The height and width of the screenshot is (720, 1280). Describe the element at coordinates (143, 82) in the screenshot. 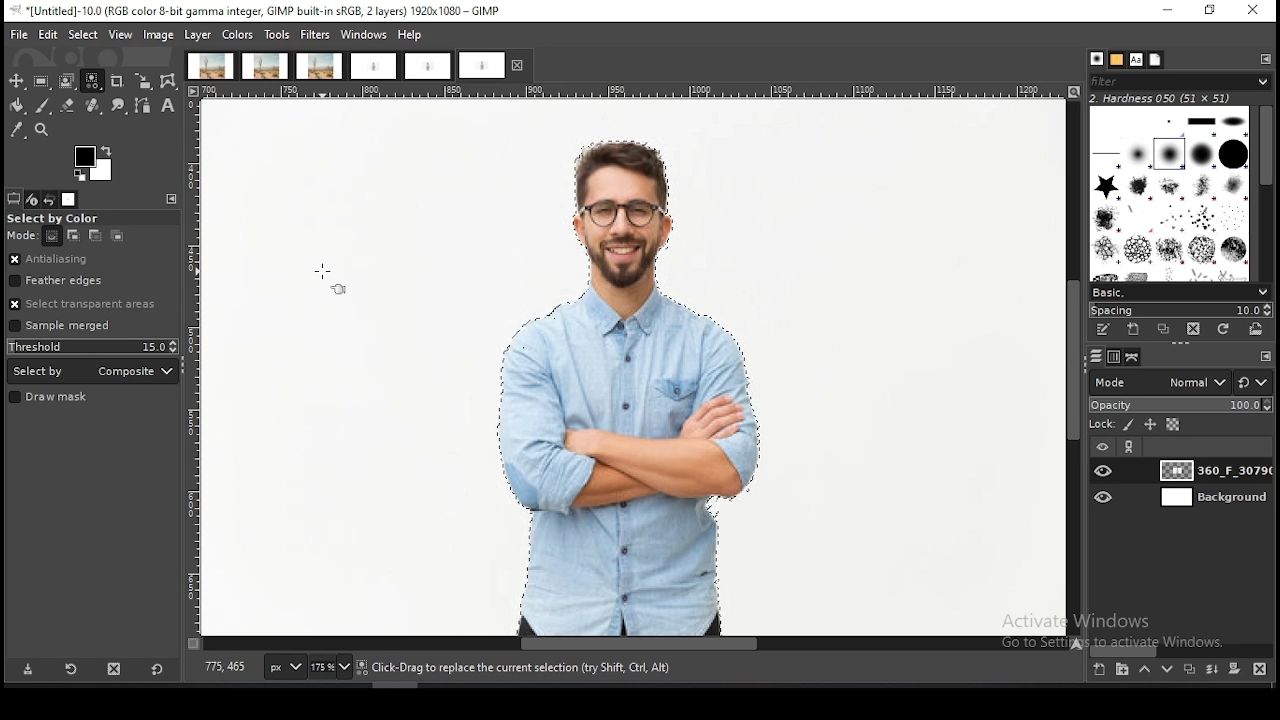

I see `scale tool` at that location.